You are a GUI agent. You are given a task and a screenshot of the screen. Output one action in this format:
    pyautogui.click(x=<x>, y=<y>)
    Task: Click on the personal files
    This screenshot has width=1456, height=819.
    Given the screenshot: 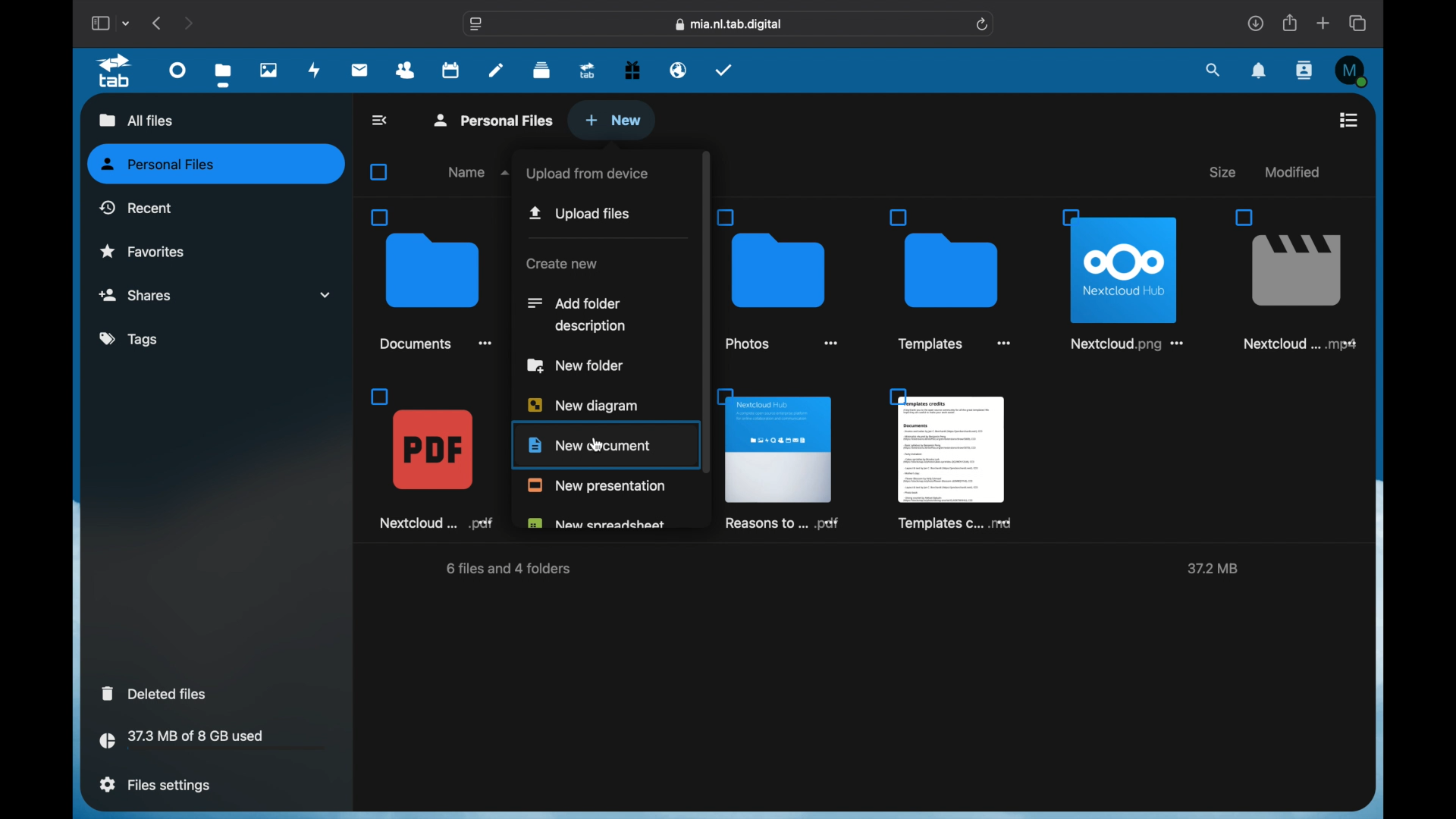 What is the action you would take?
    pyautogui.click(x=218, y=165)
    